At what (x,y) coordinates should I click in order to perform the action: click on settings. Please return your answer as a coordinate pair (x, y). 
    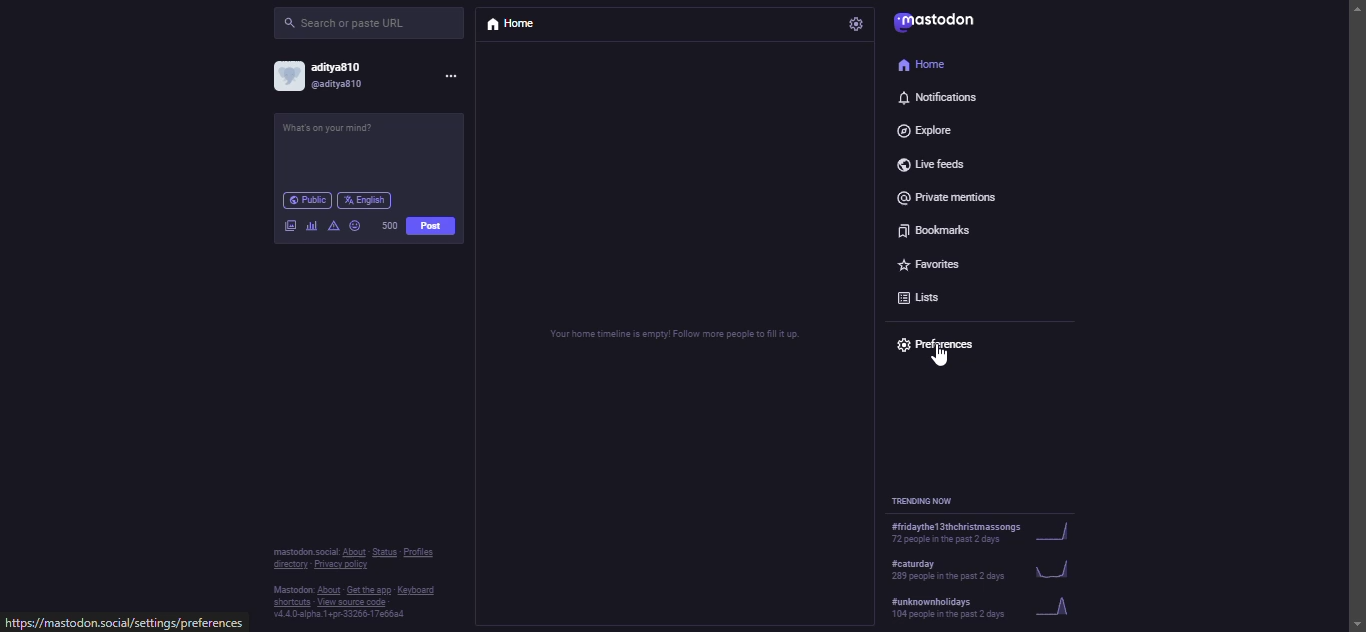
    Looking at the image, I should click on (855, 23).